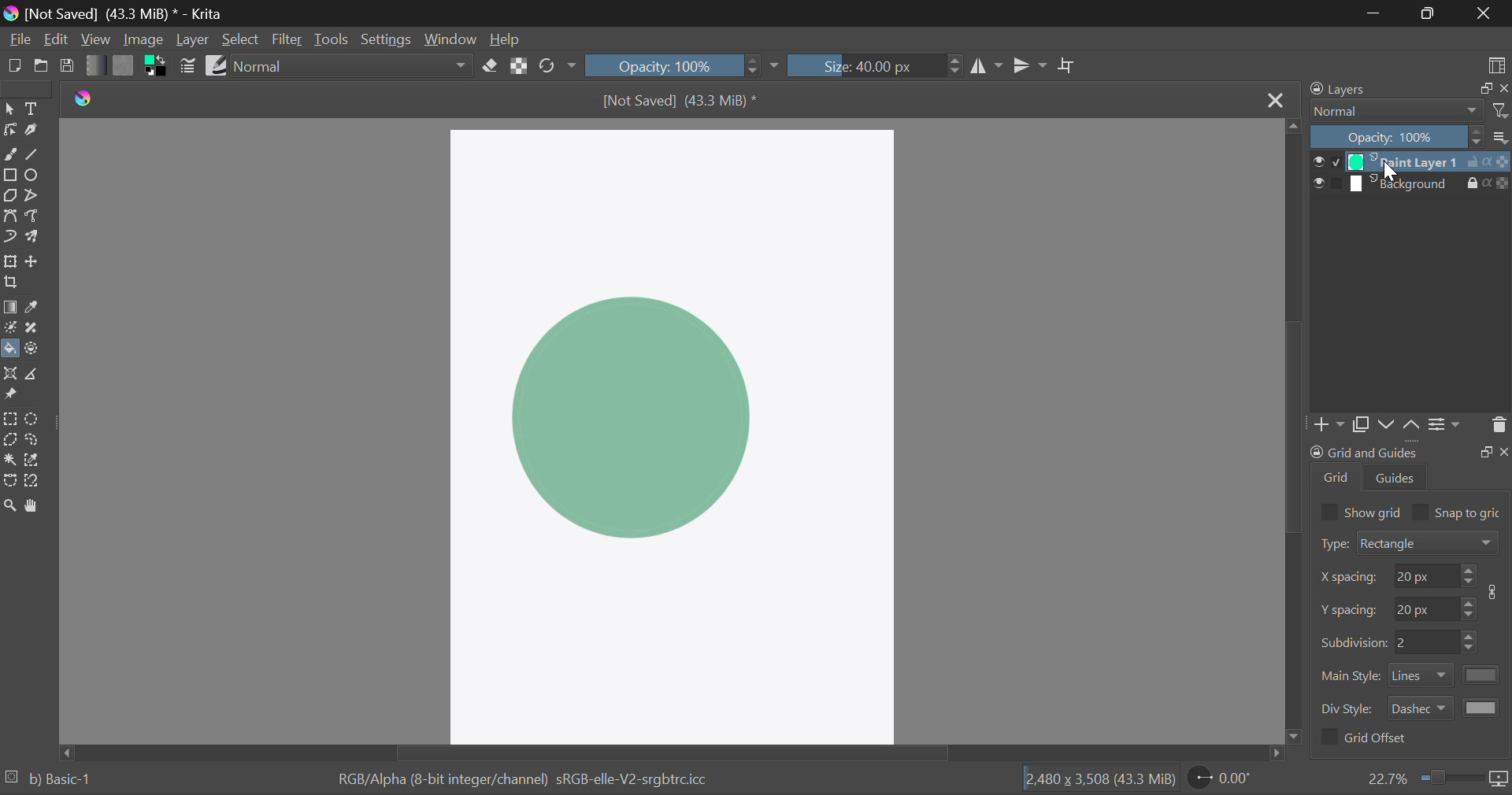 Image resolution: width=1512 pixels, height=795 pixels. I want to click on Movement of Layers, so click(1402, 426).